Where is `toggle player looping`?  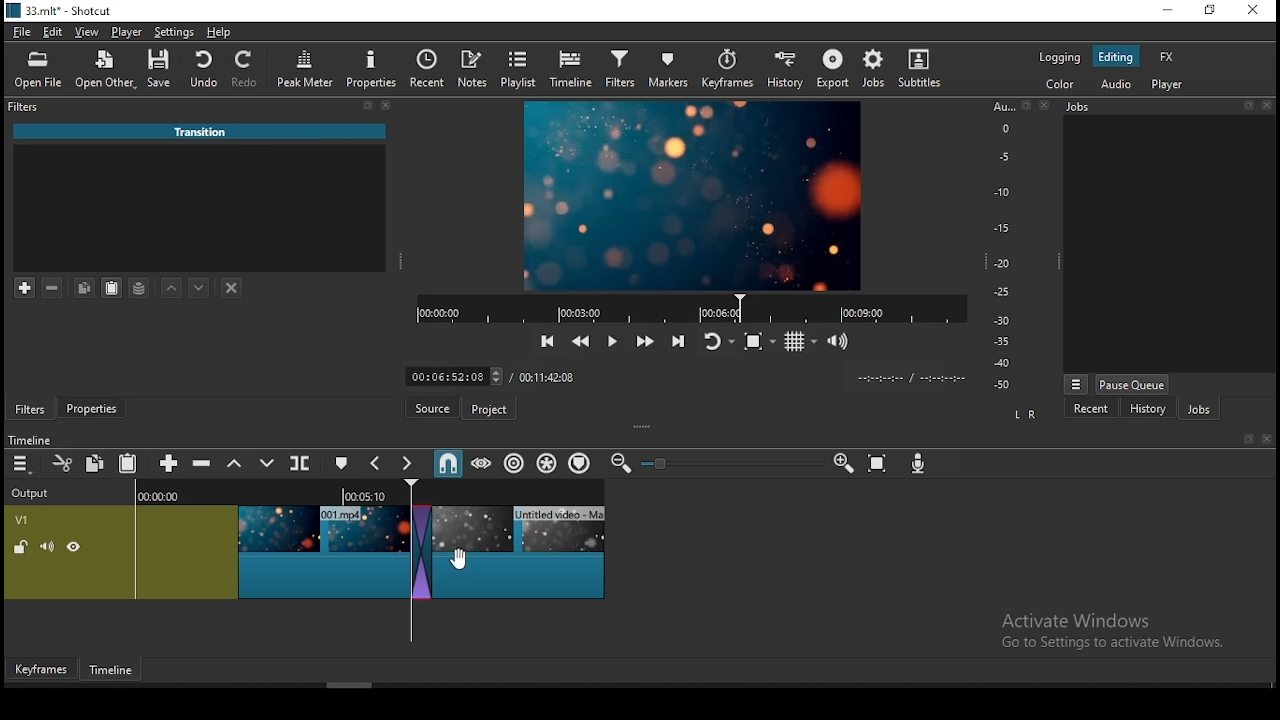
toggle player looping is located at coordinates (717, 342).